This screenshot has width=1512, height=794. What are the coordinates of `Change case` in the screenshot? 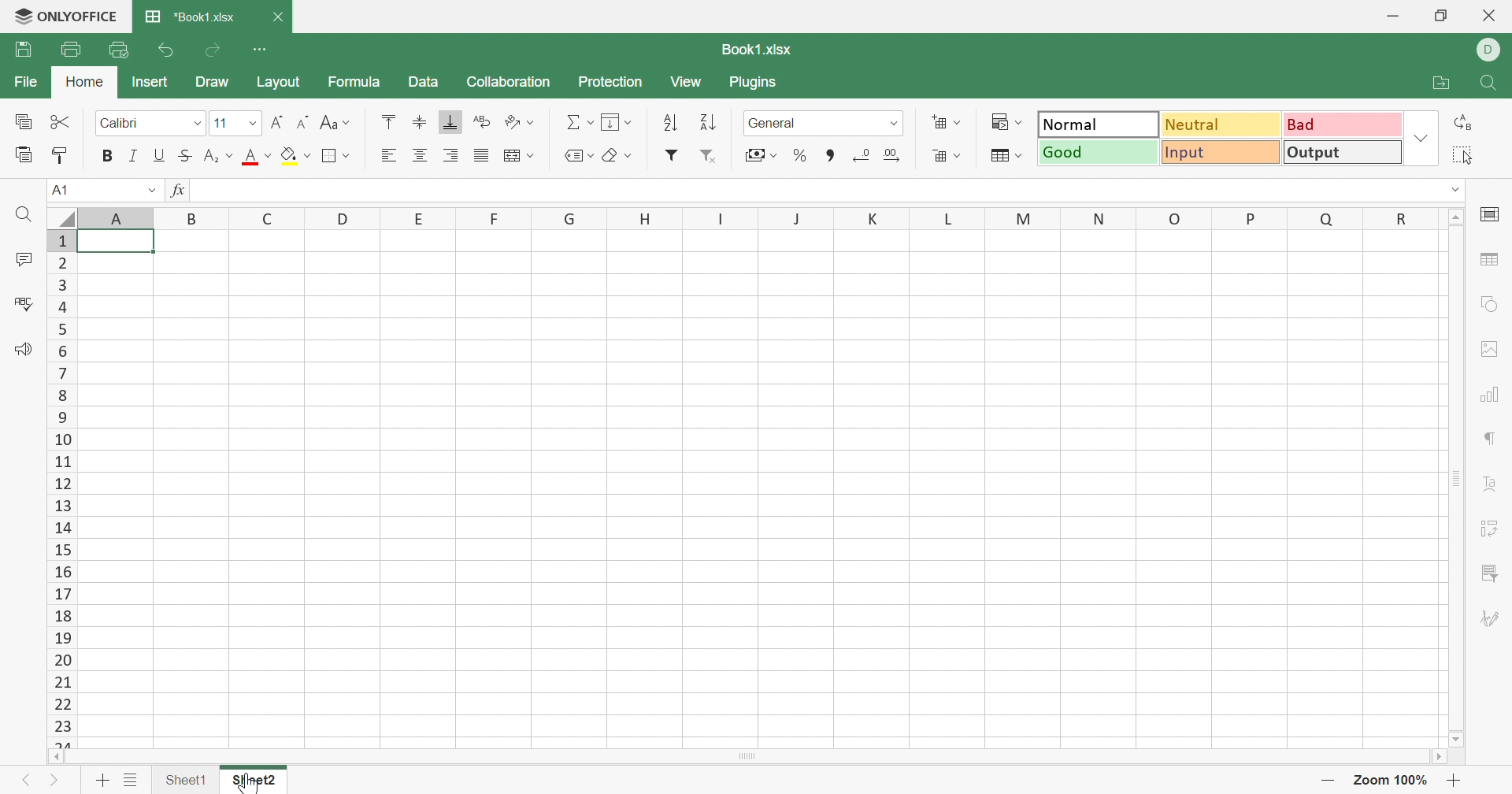 It's located at (327, 122).